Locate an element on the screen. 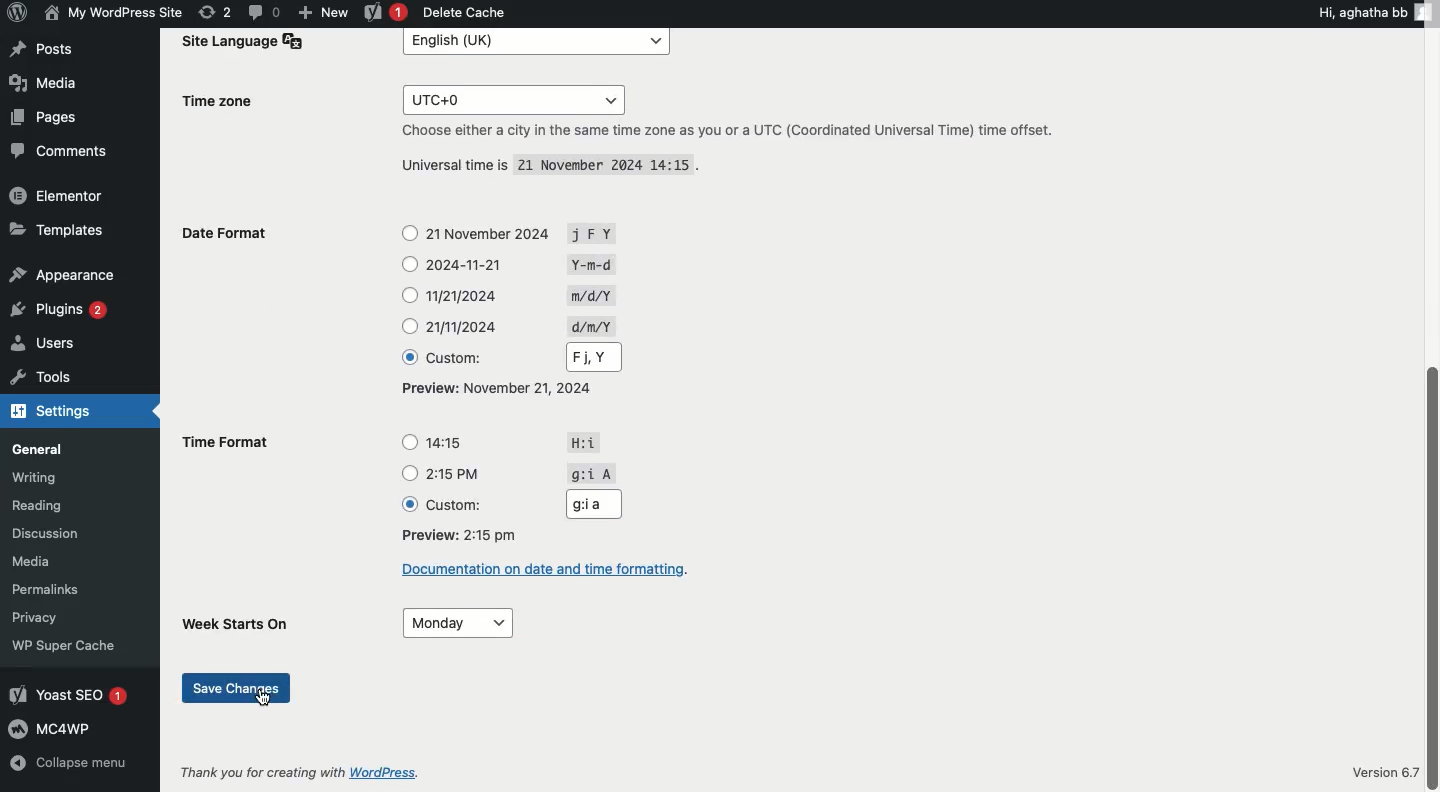 This screenshot has height=792, width=1440. Privacy is located at coordinates (40, 616).